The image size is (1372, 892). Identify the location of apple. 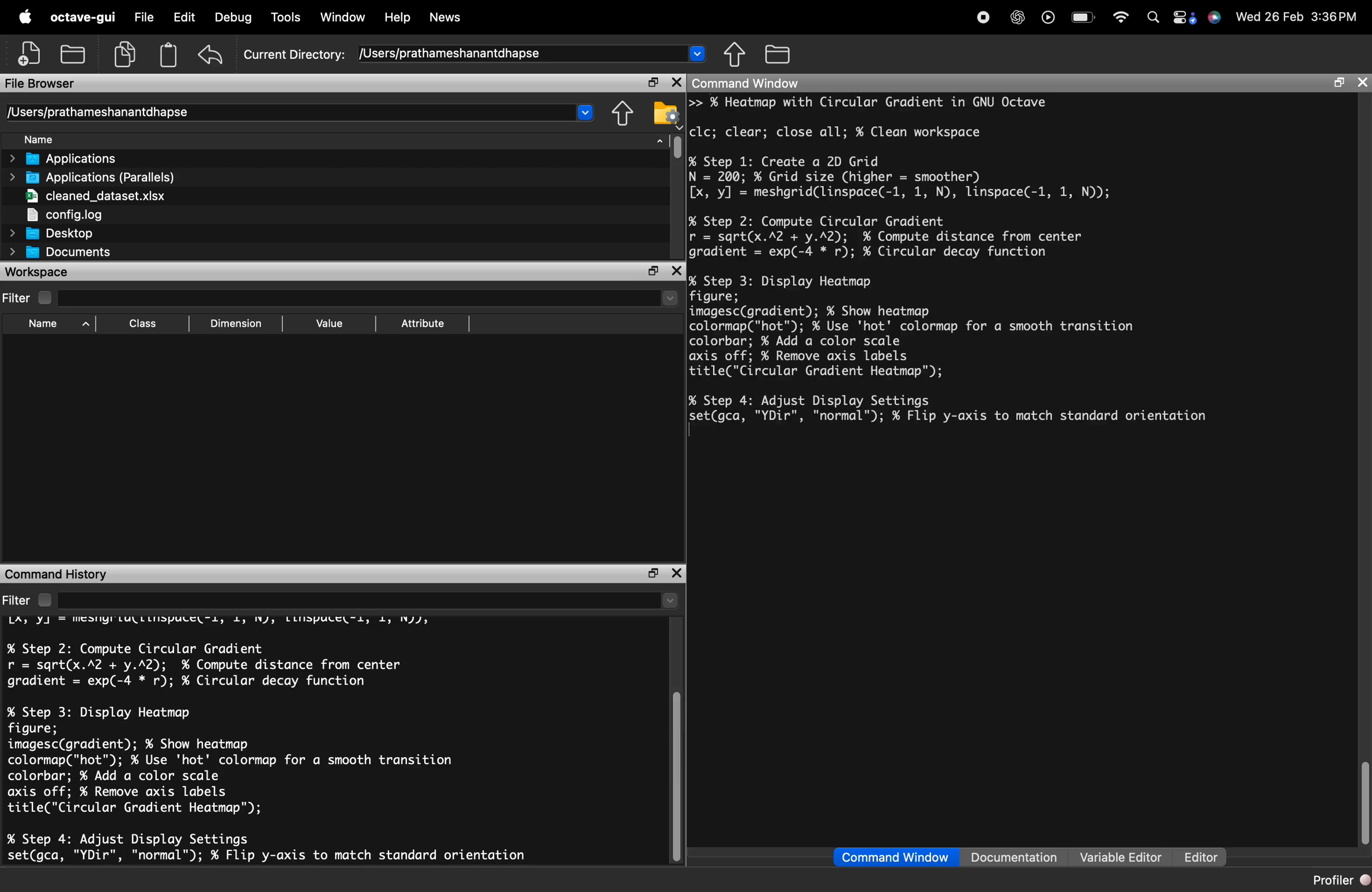
(24, 17).